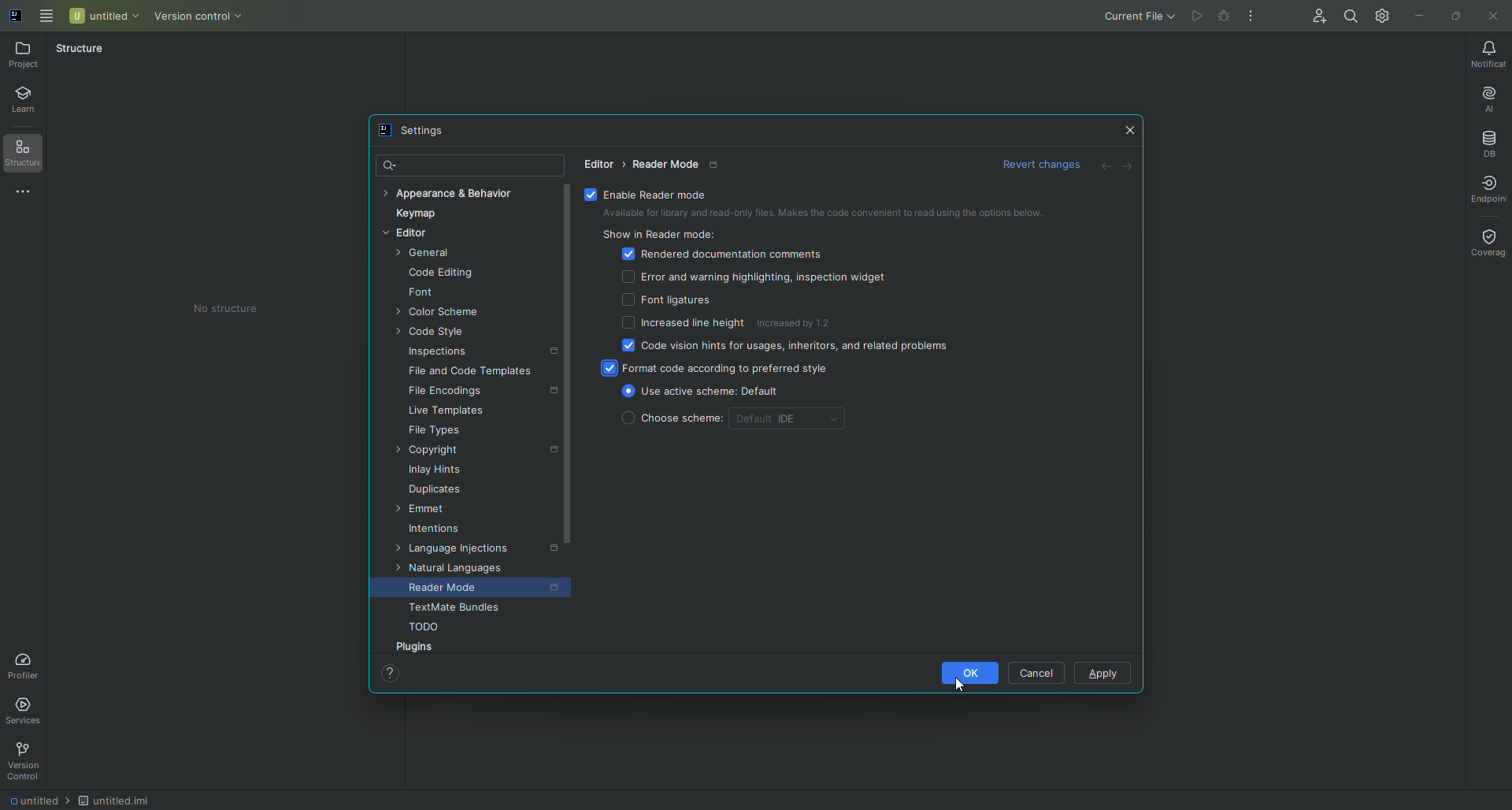 This screenshot has width=1512, height=810. What do you see at coordinates (80, 801) in the screenshot?
I see `file path` at bounding box center [80, 801].